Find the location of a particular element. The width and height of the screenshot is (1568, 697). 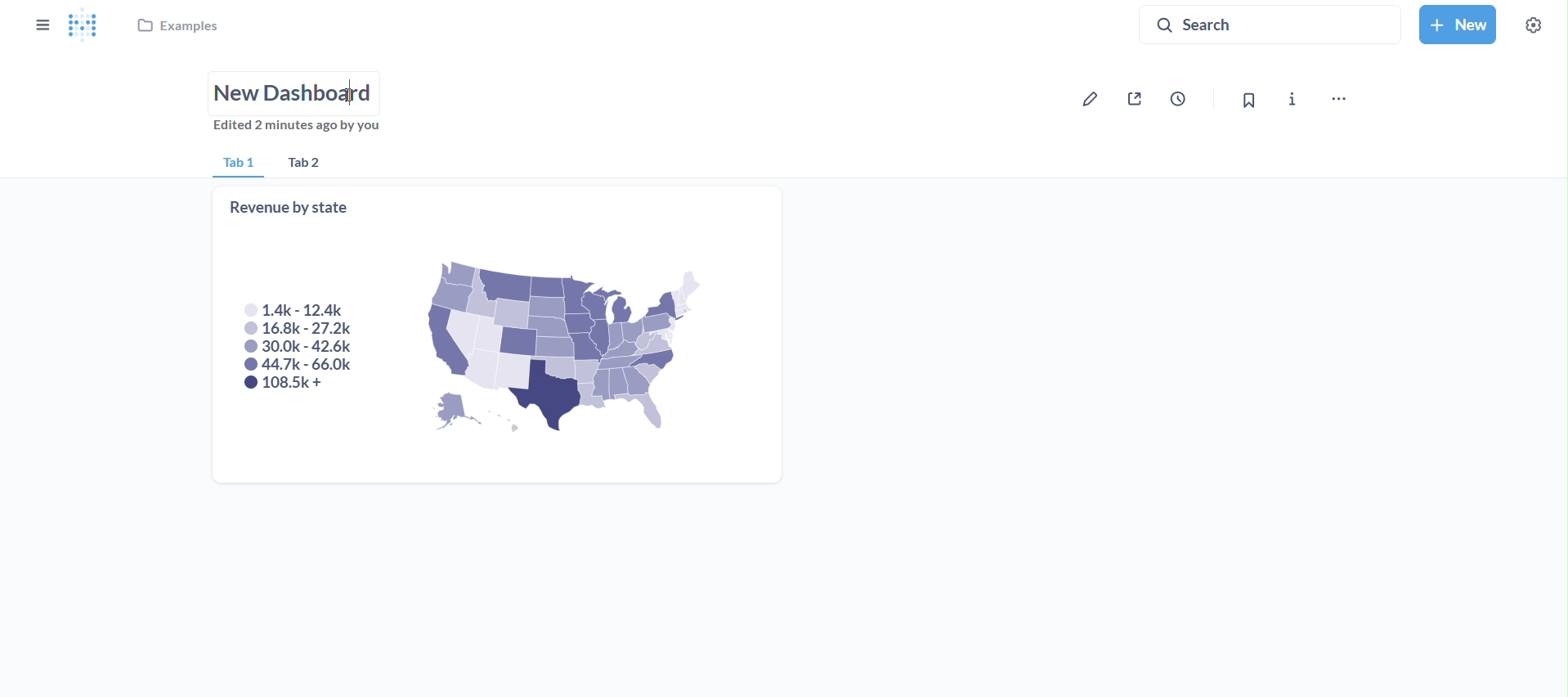

settings is located at coordinates (1530, 24).